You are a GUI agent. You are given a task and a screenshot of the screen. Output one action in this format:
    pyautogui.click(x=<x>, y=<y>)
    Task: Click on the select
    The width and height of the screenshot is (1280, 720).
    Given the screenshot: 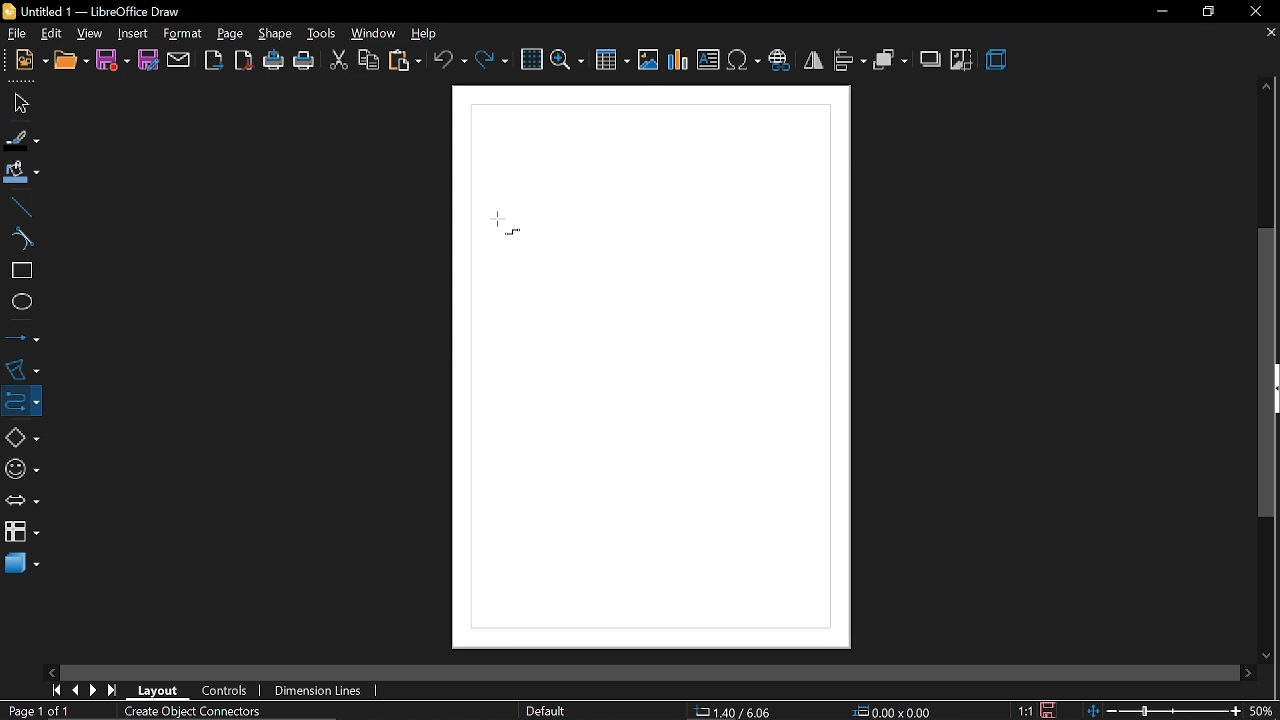 What is the action you would take?
    pyautogui.click(x=18, y=103)
    